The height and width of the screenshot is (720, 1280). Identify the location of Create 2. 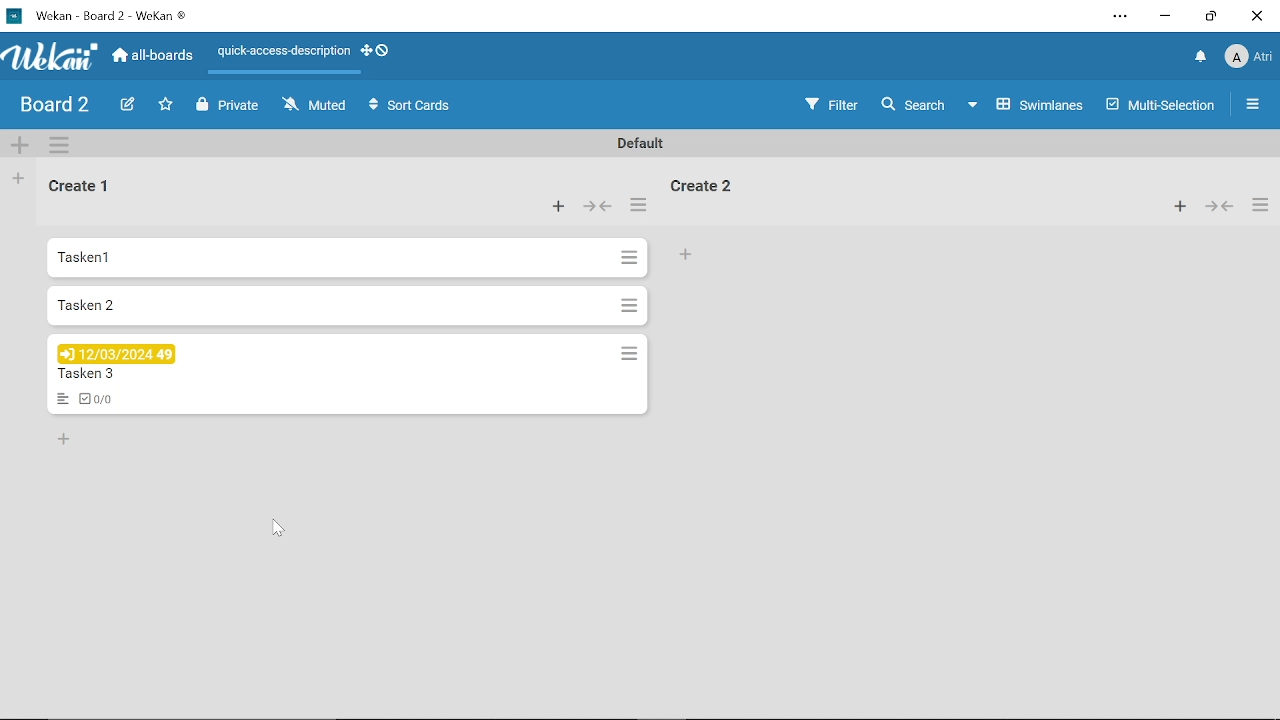
(702, 184).